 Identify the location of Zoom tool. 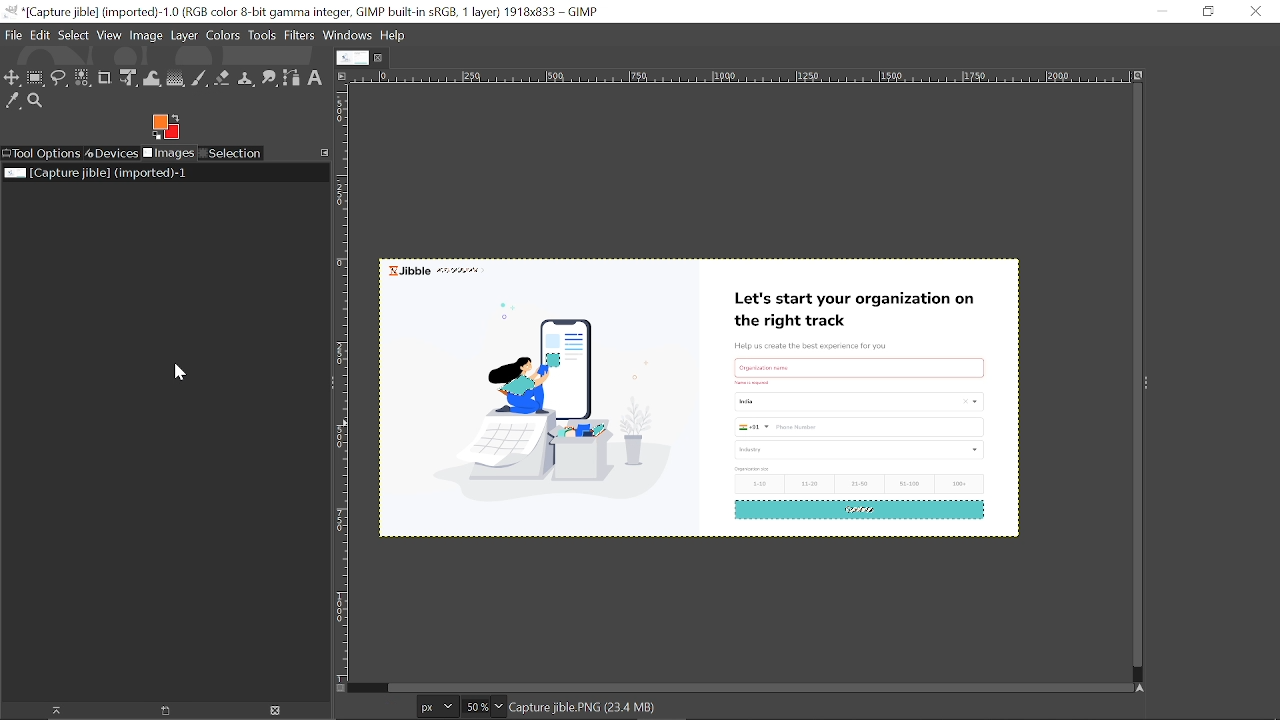
(38, 102).